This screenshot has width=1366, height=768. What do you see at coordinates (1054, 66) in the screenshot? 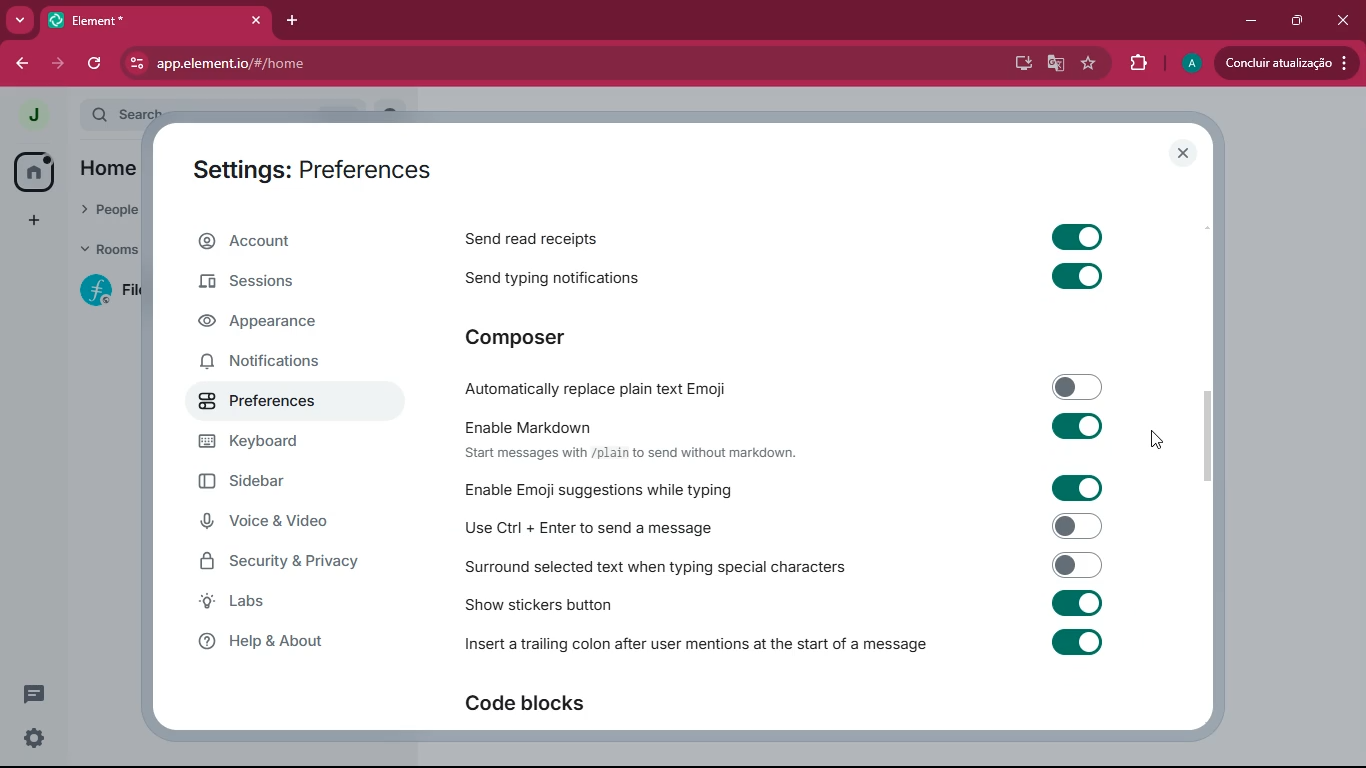
I see `google translate` at bounding box center [1054, 66].